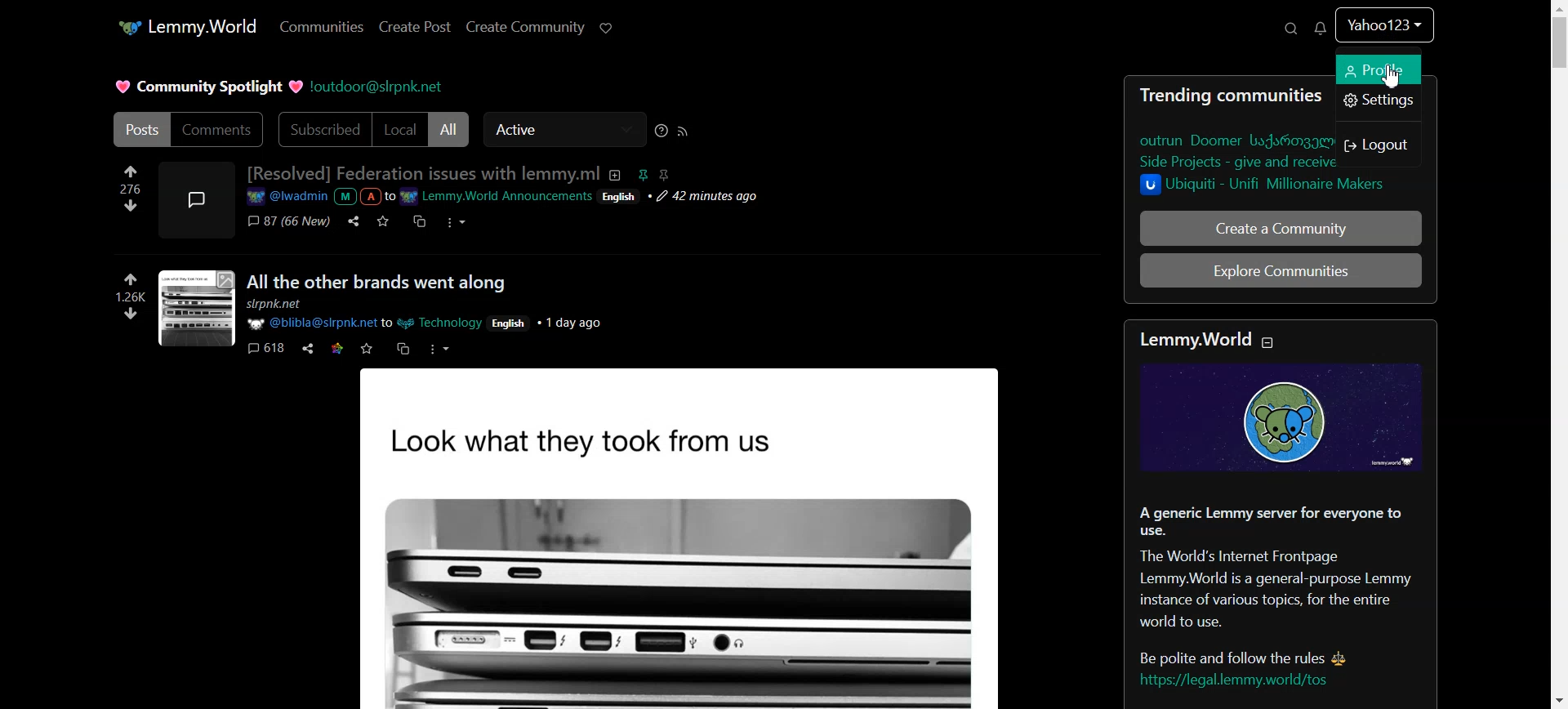  What do you see at coordinates (351, 221) in the screenshot?
I see `share` at bounding box center [351, 221].